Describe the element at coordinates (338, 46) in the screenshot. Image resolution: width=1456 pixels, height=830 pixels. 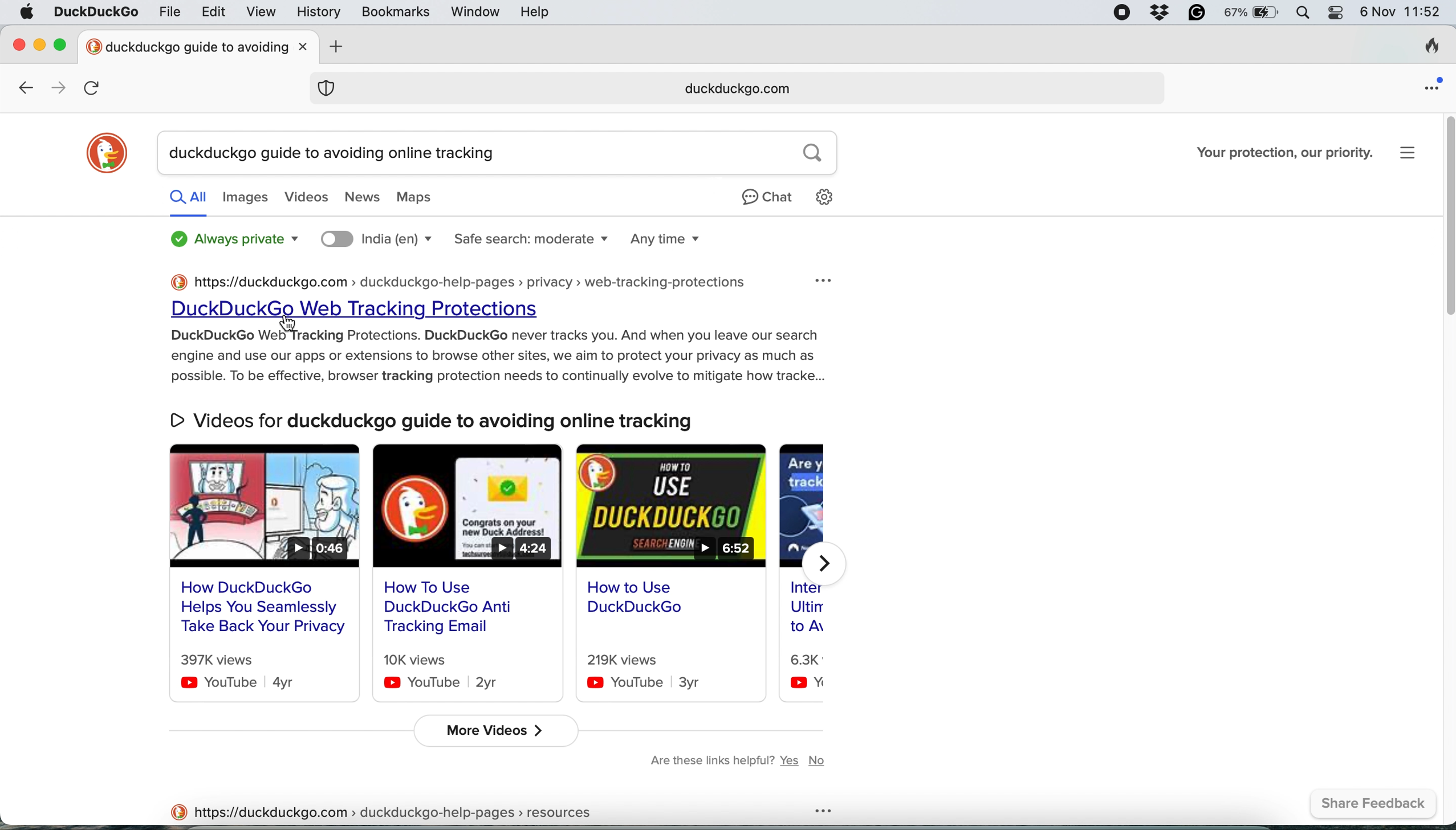
I see `add new tab` at that location.